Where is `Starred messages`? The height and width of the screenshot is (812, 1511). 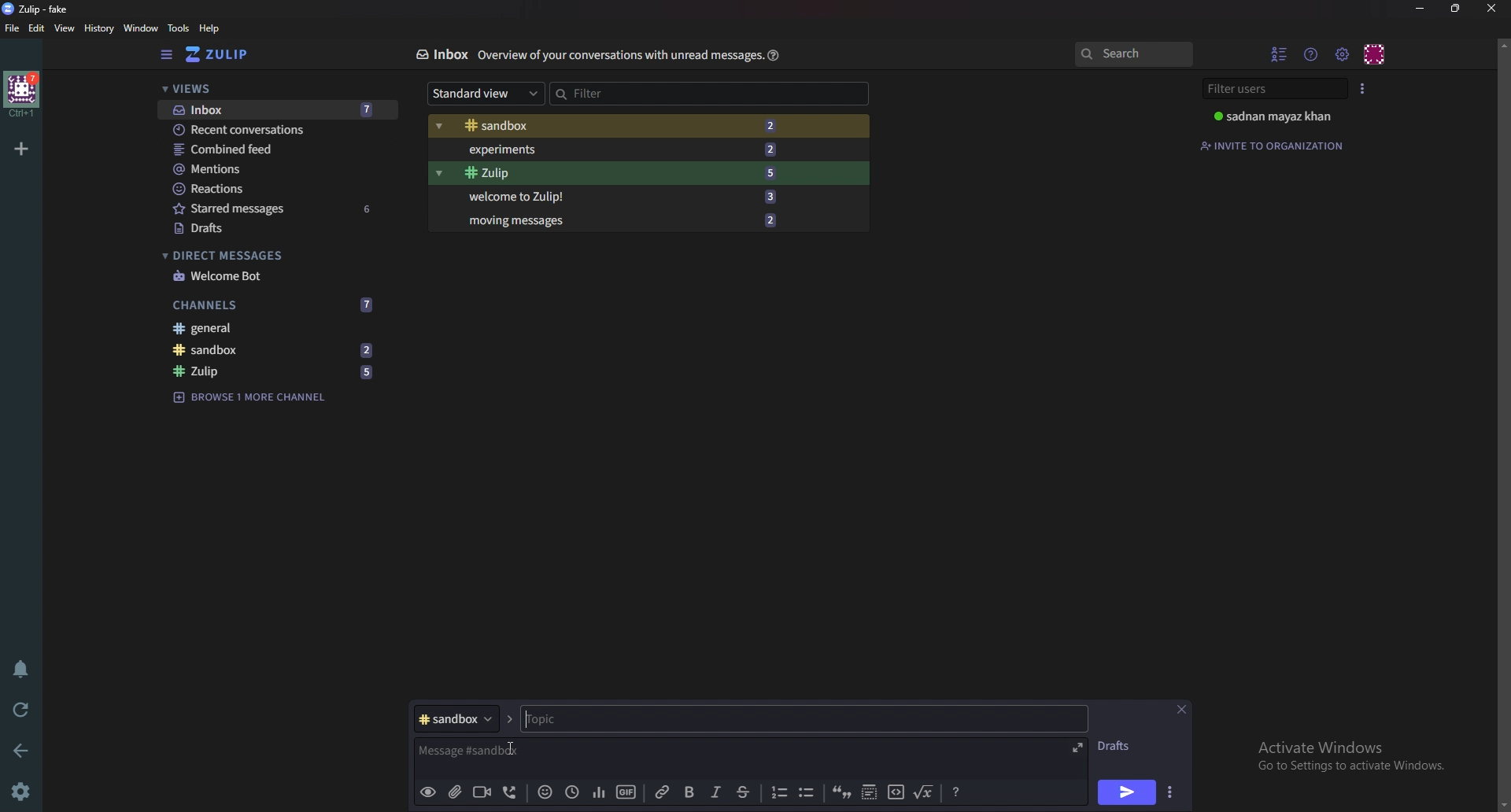
Starred messages is located at coordinates (278, 208).